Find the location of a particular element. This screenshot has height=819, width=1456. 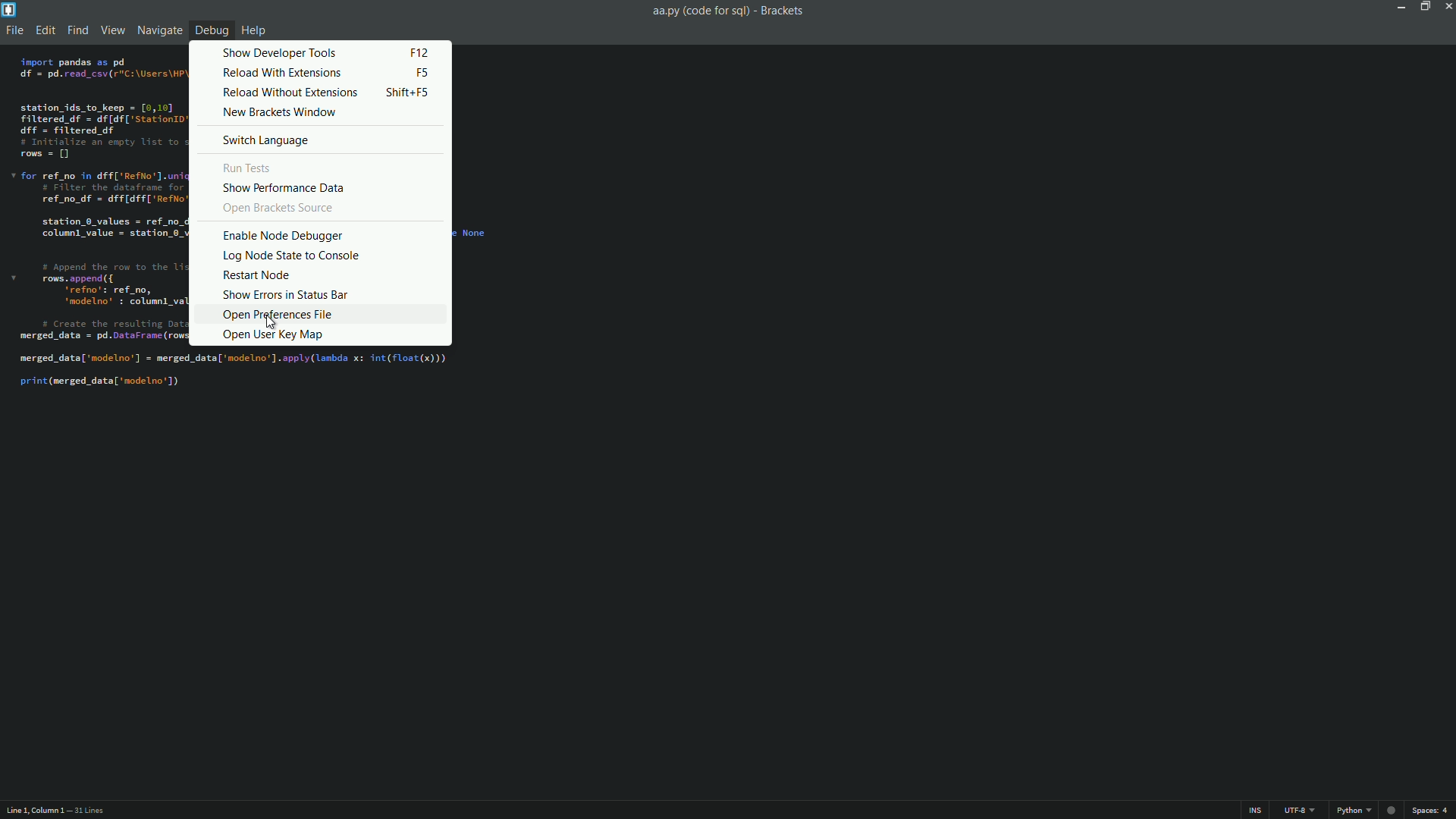

UTF - 8 is located at coordinates (1301, 809).